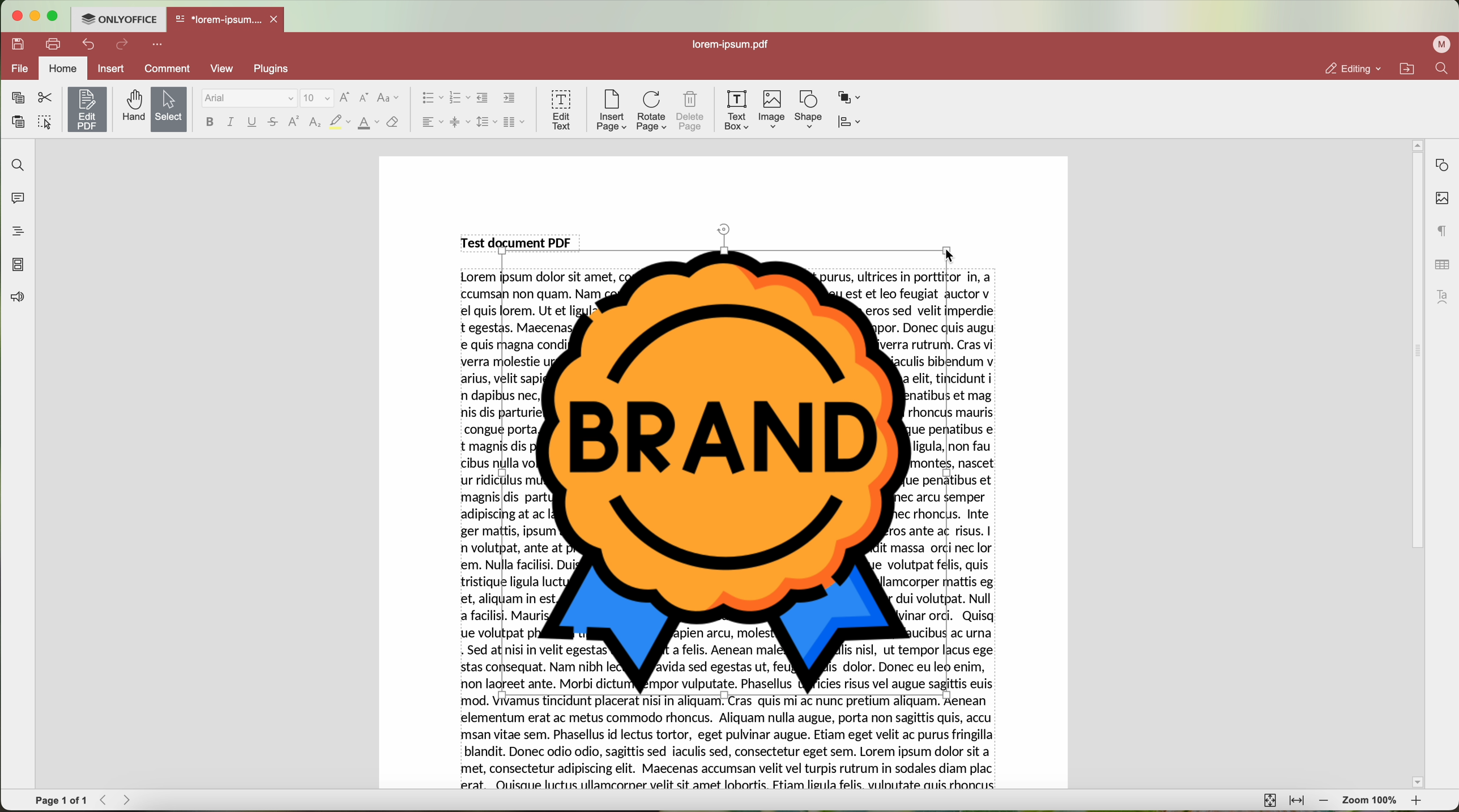  Describe the element at coordinates (18, 122) in the screenshot. I see `paste` at that location.